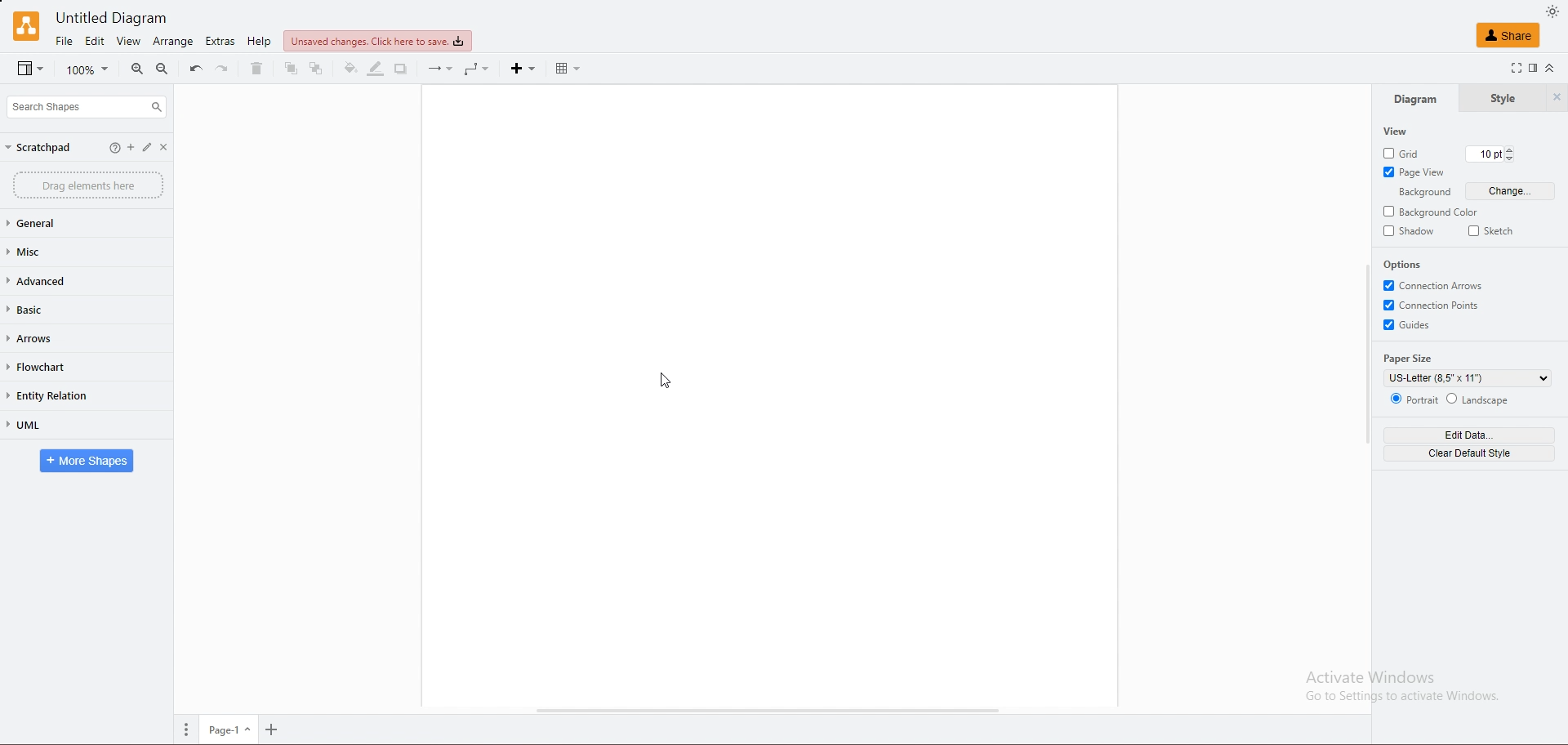 This screenshot has height=745, width=1568. What do you see at coordinates (148, 148) in the screenshot?
I see `edit` at bounding box center [148, 148].